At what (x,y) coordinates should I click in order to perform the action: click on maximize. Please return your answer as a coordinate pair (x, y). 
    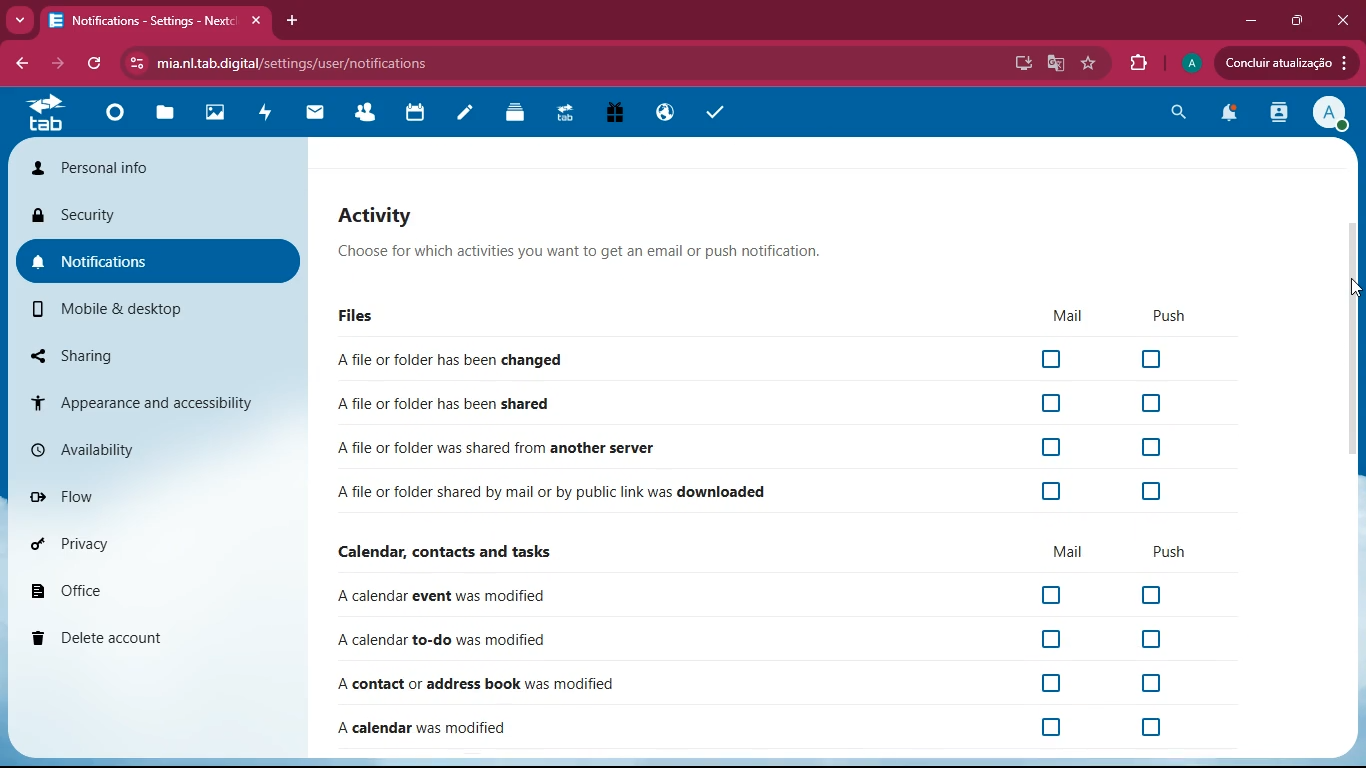
    Looking at the image, I should click on (1299, 20).